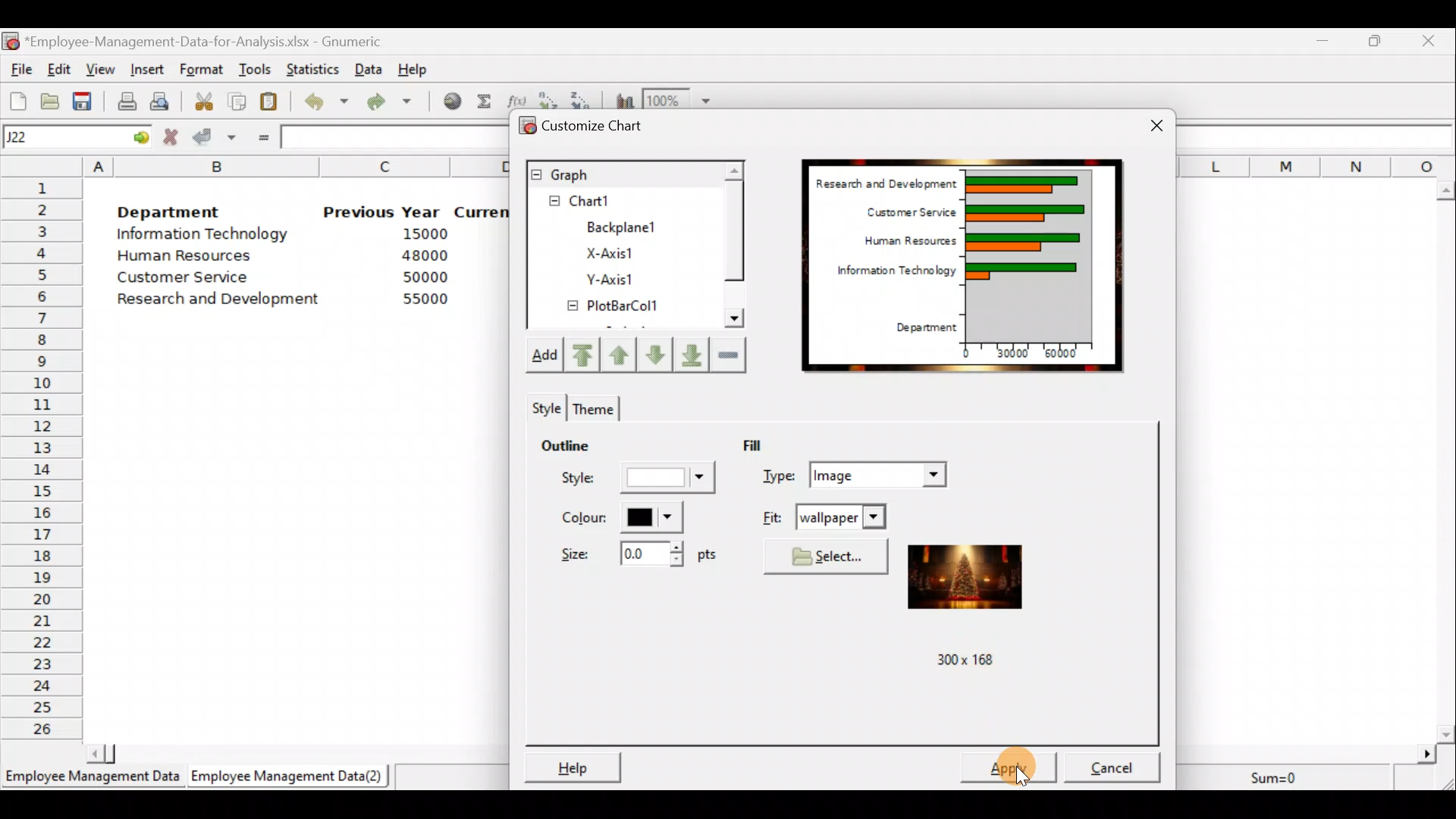 The width and height of the screenshot is (1456, 819). What do you see at coordinates (206, 104) in the screenshot?
I see `Cut the selection` at bounding box center [206, 104].